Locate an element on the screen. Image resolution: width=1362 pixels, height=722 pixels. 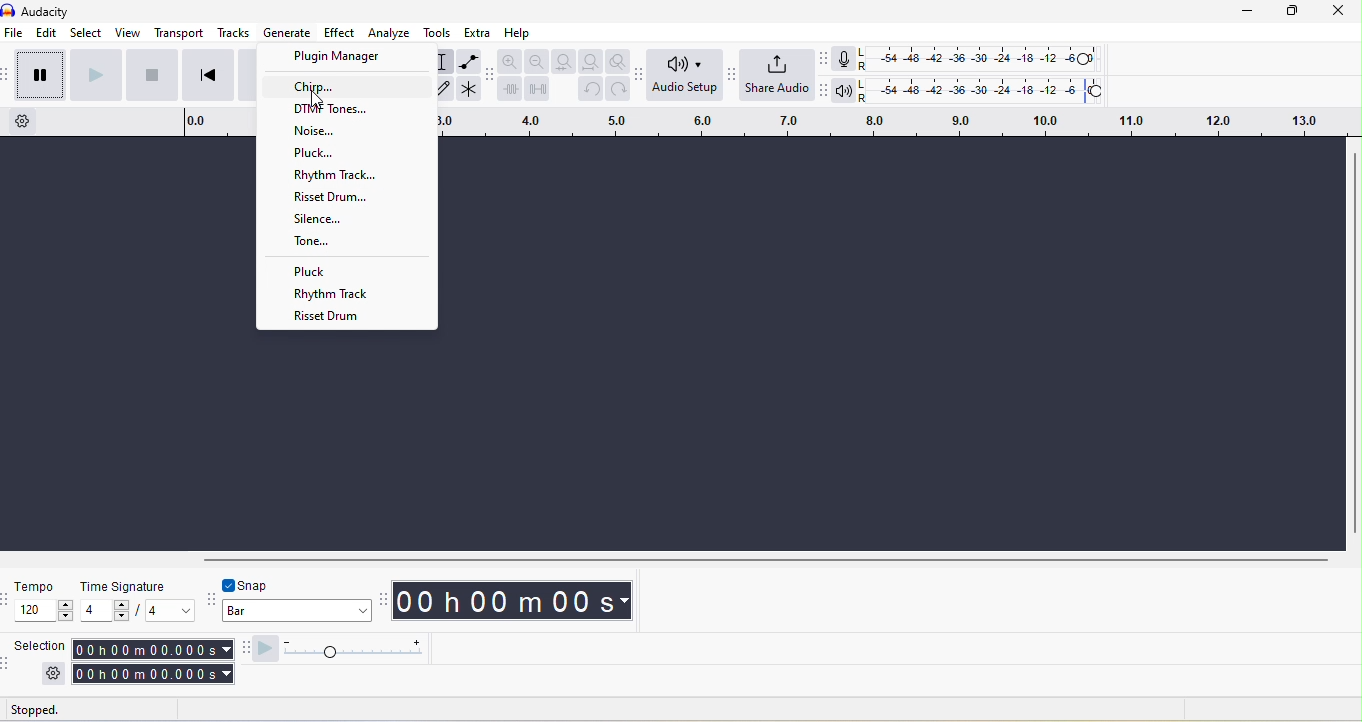
envelope tool  is located at coordinates (470, 60).